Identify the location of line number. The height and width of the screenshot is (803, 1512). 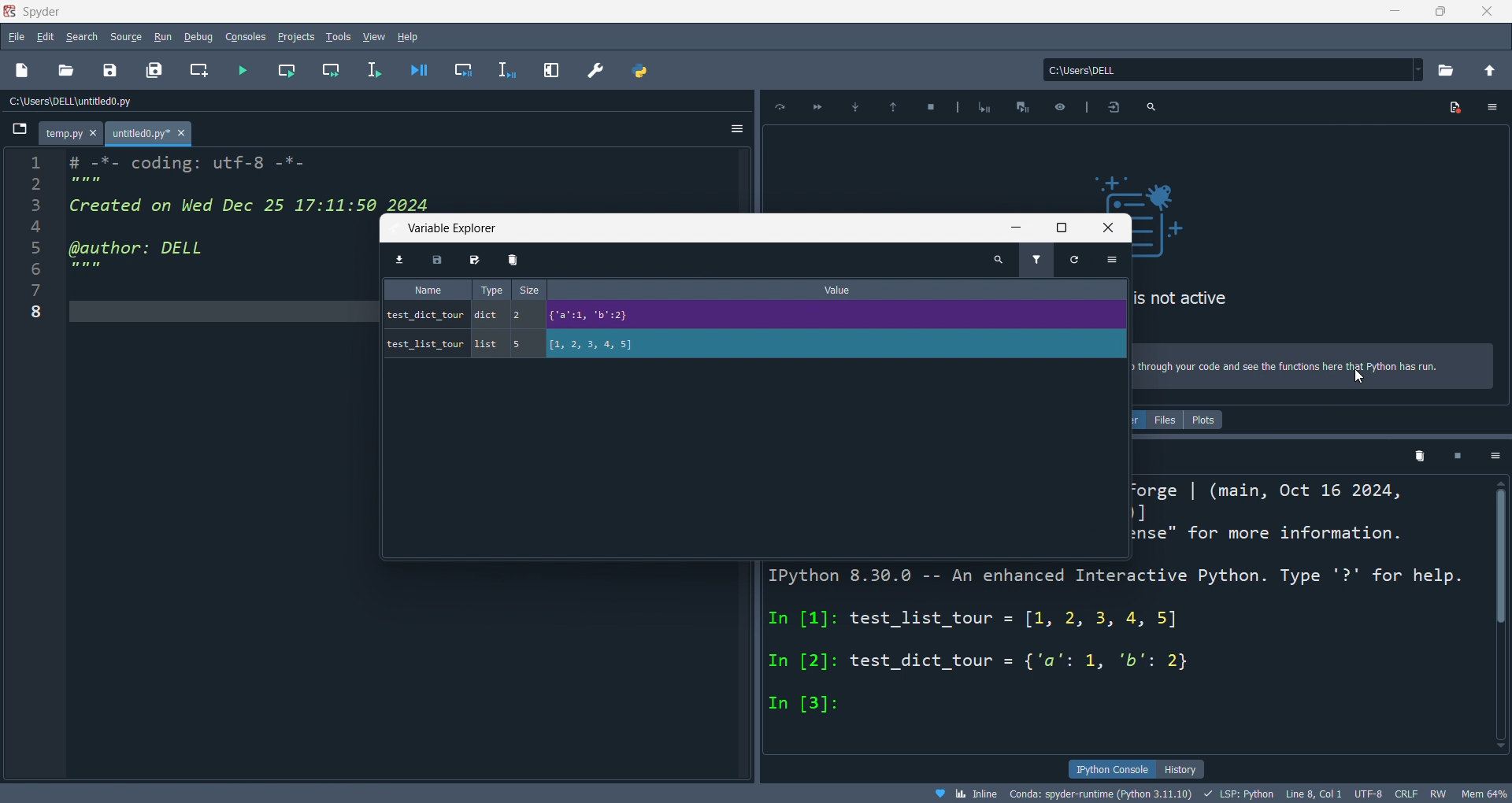
(42, 464).